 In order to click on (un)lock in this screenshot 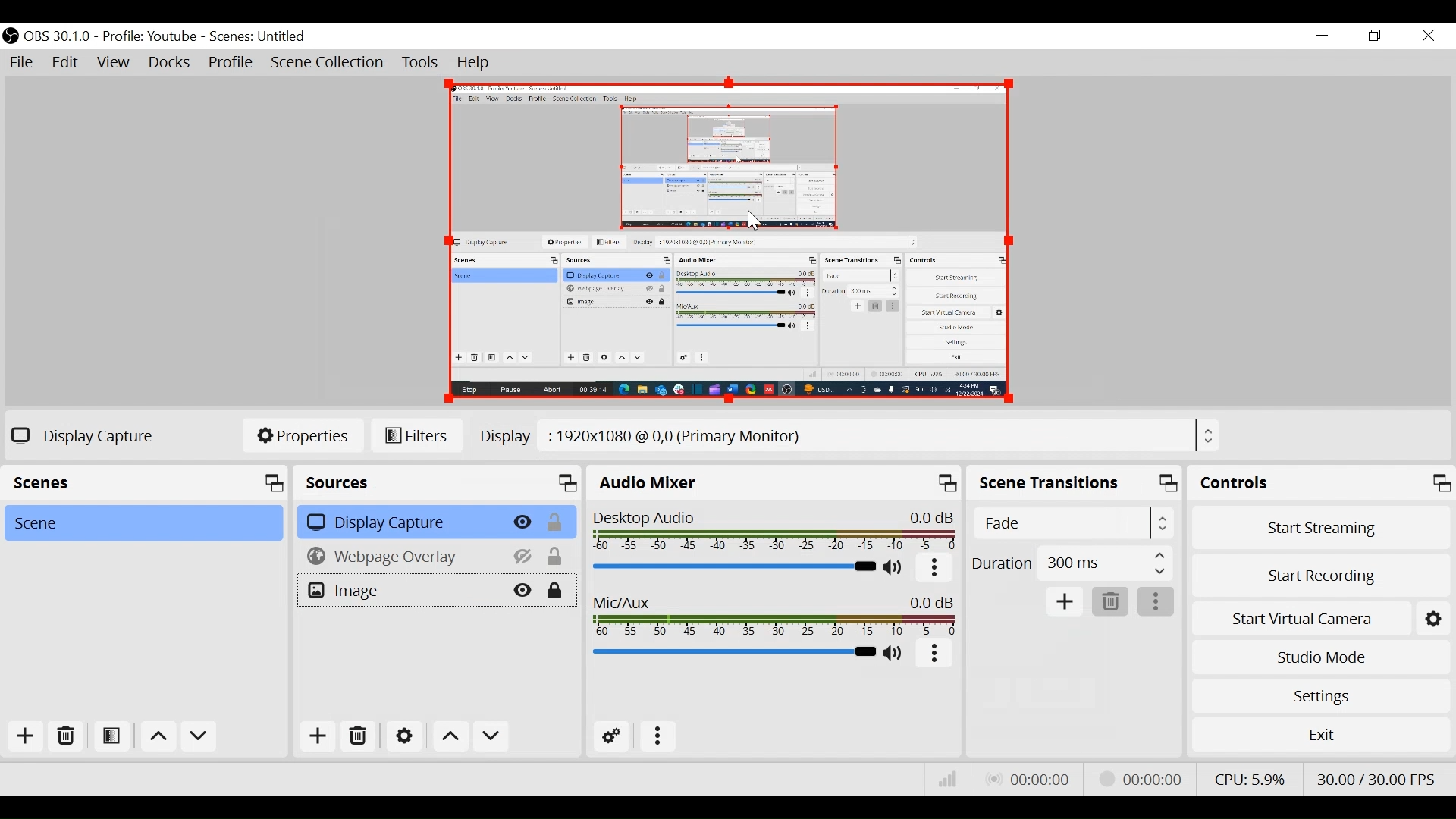, I will do `click(557, 522)`.